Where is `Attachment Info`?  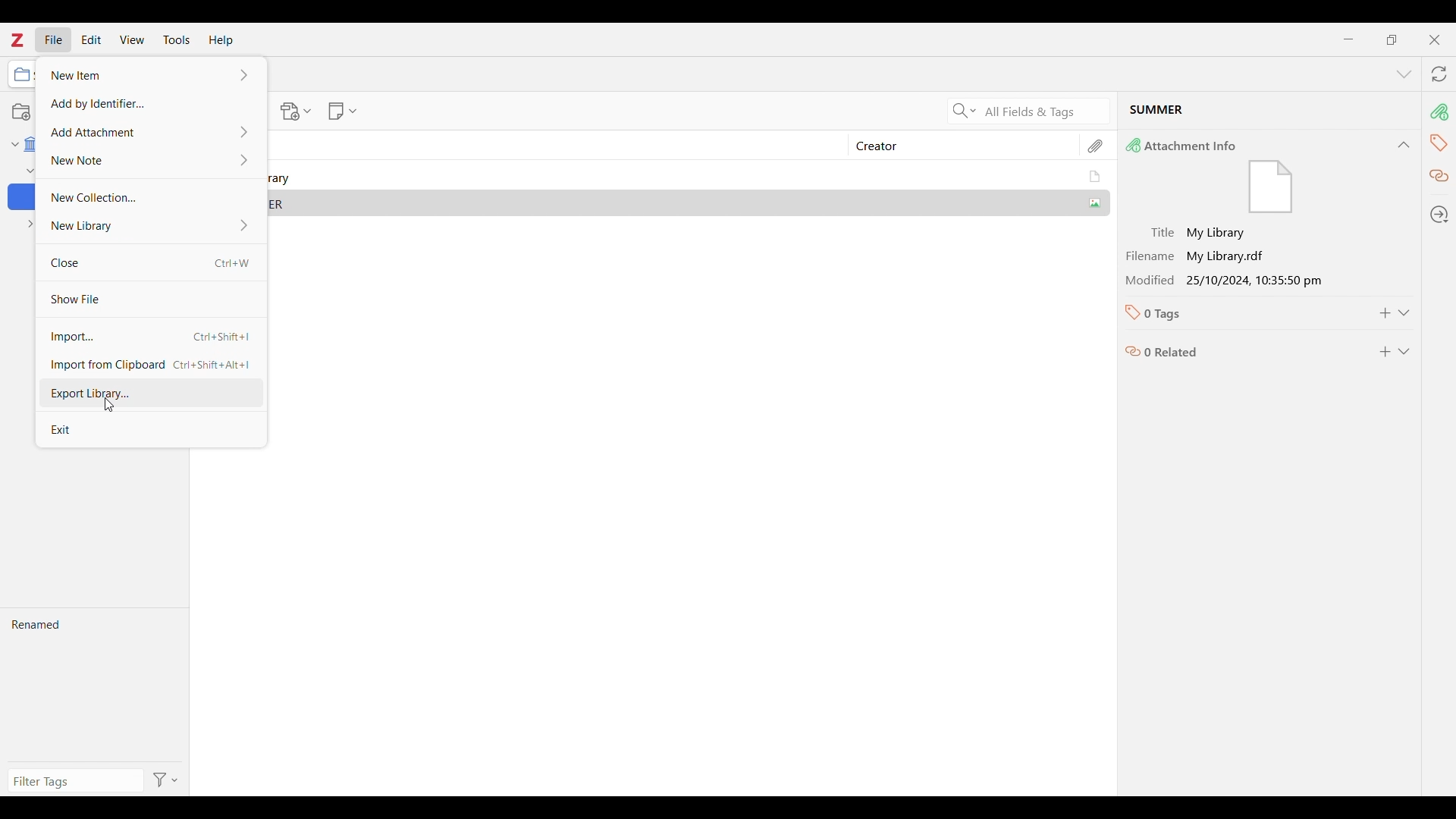 Attachment Info is located at coordinates (1250, 176).